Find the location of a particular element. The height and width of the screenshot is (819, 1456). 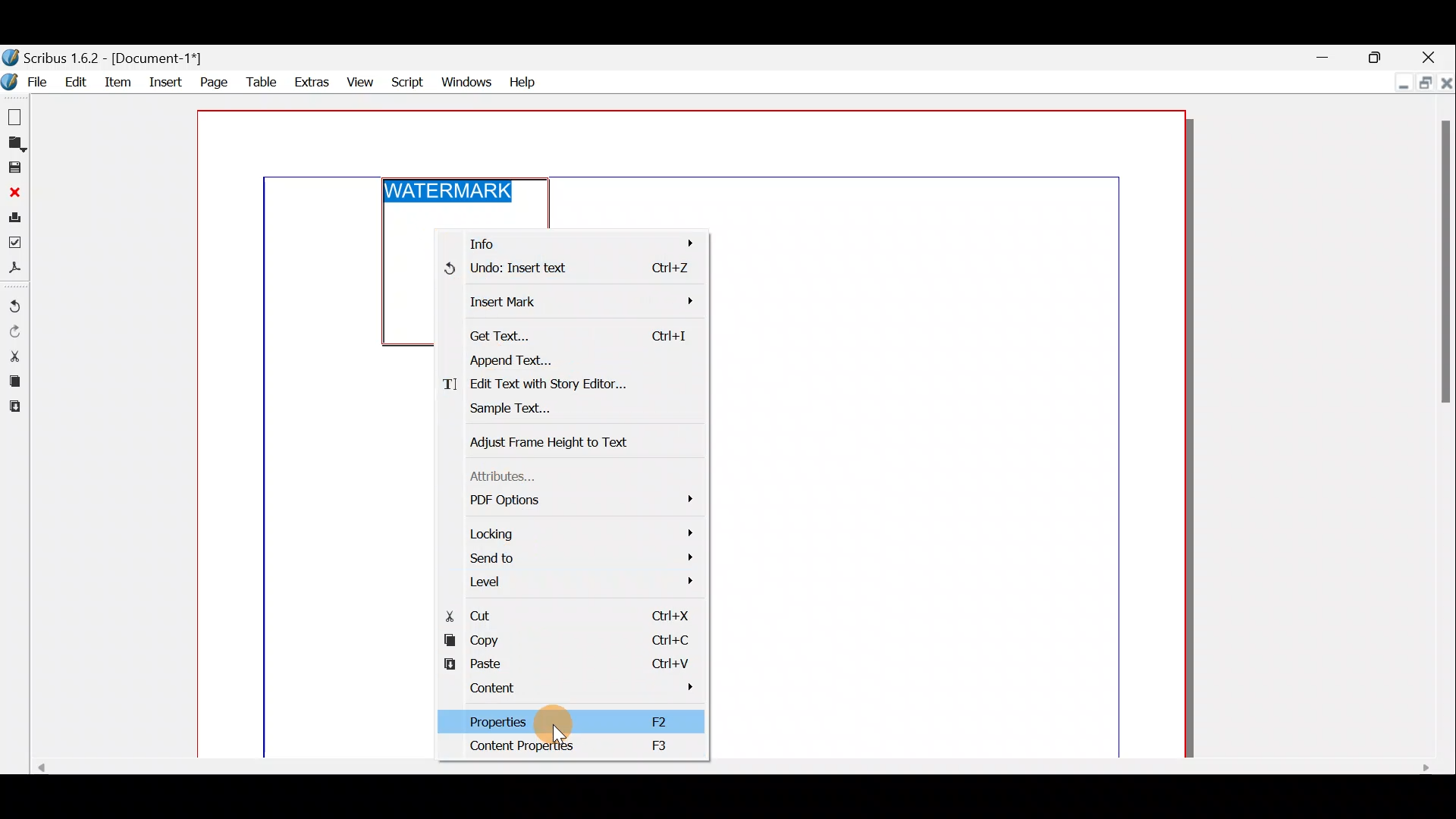

Script is located at coordinates (409, 80).